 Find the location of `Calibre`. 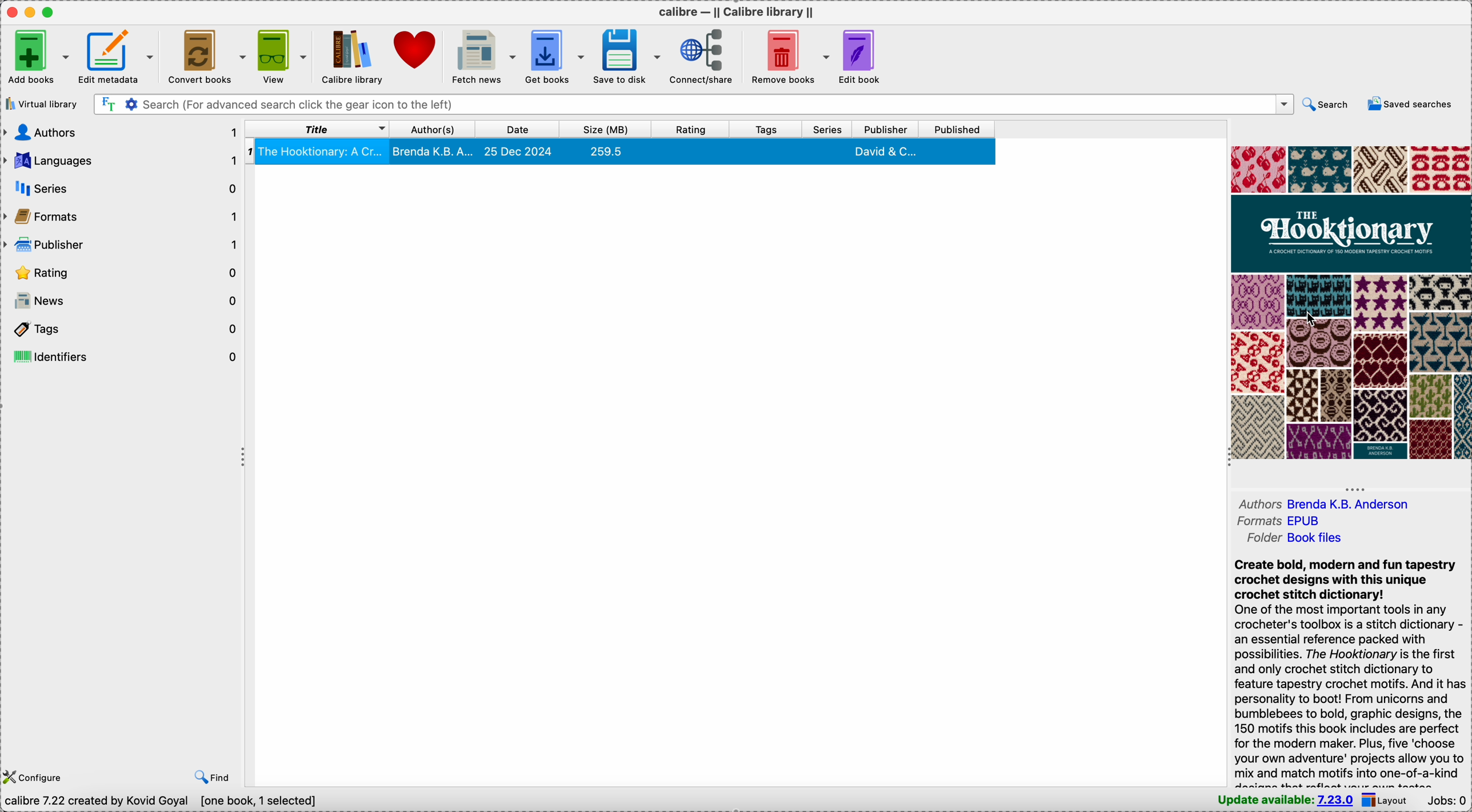

Calibre is located at coordinates (735, 13).